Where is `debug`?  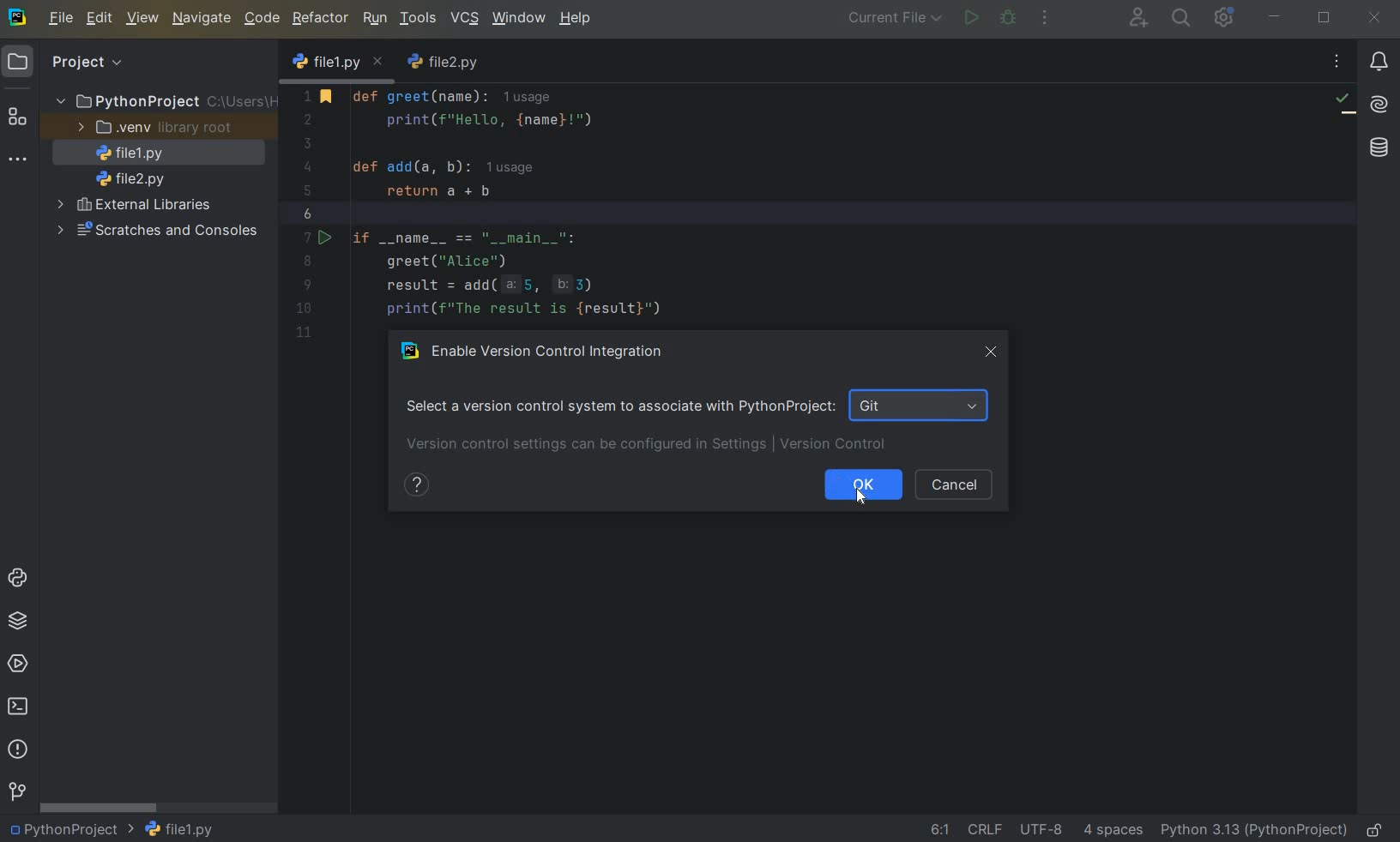
debug is located at coordinates (1009, 19).